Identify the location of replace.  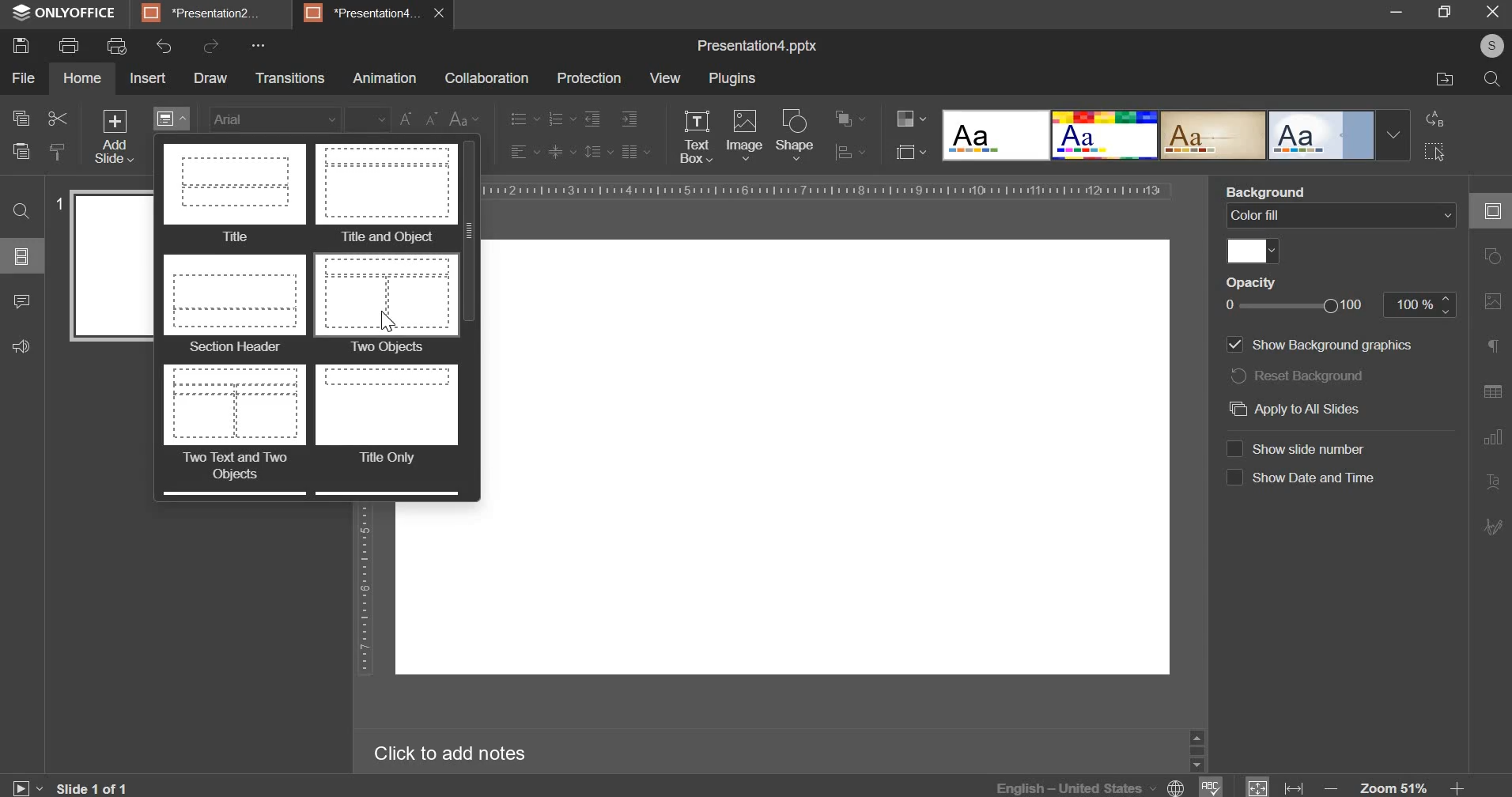
(1435, 119).